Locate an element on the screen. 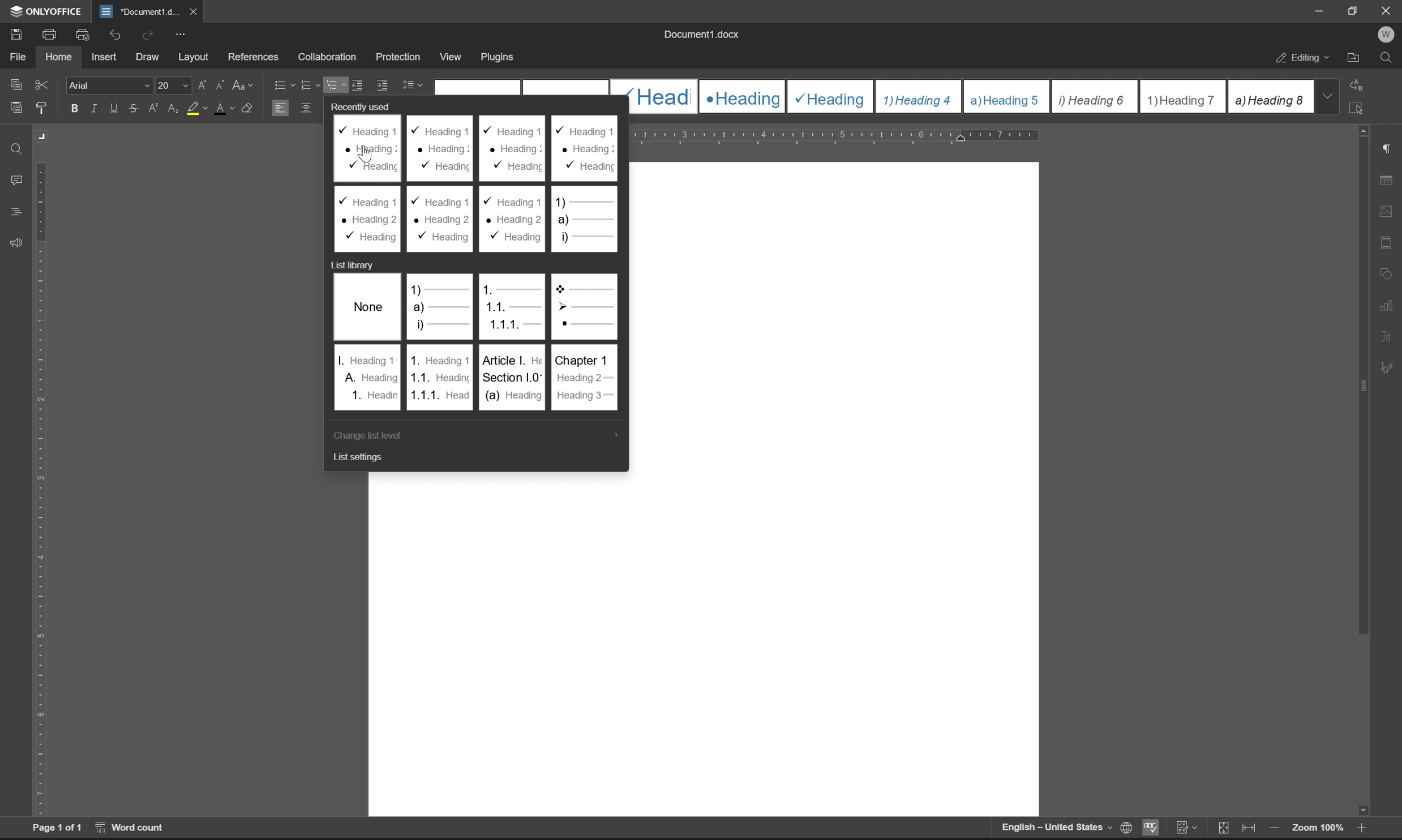  increase indent is located at coordinates (383, 85).